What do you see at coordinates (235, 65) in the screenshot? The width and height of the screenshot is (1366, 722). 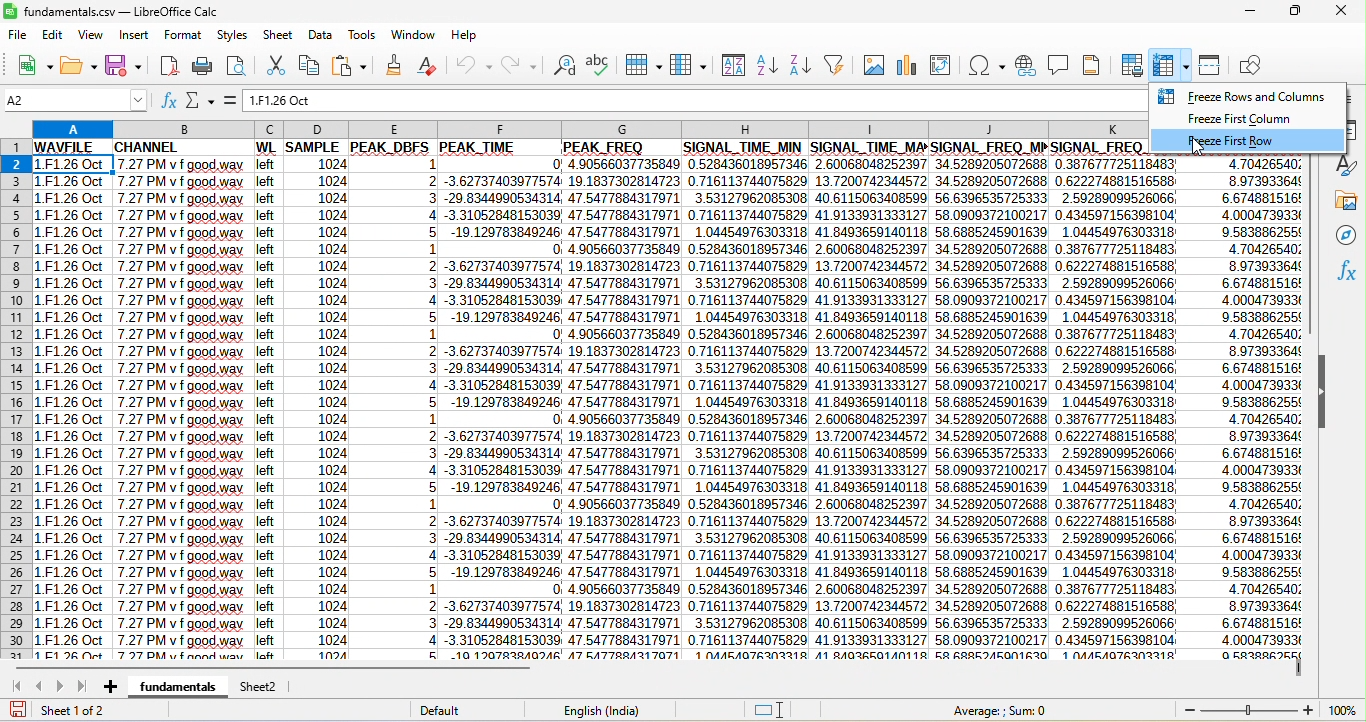 I see `print preview` at bounding box center [235, 65].